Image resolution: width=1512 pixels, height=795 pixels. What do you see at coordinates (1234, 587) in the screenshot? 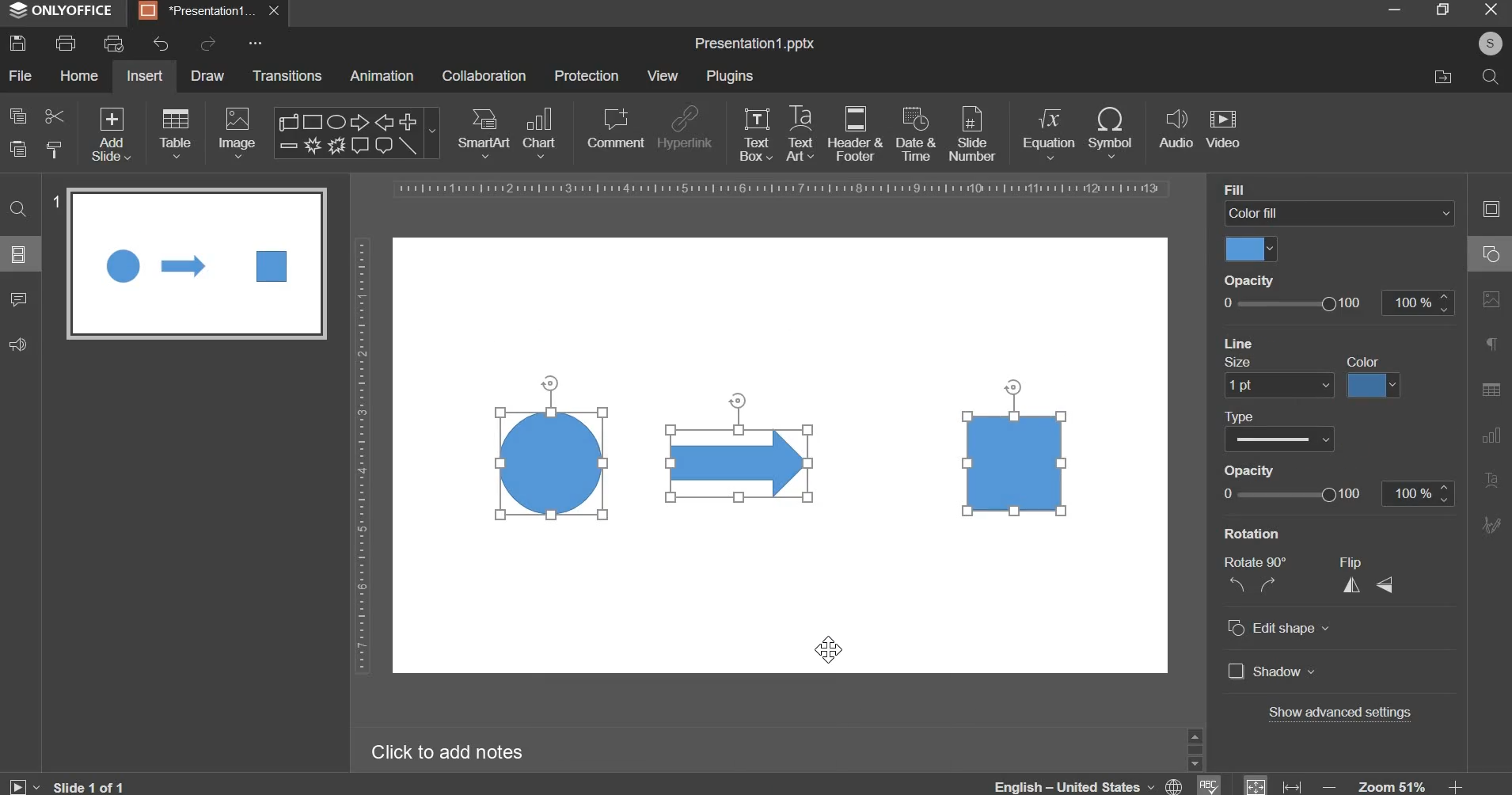
I see `rotate left 90` at bounding box center [1234, 587].